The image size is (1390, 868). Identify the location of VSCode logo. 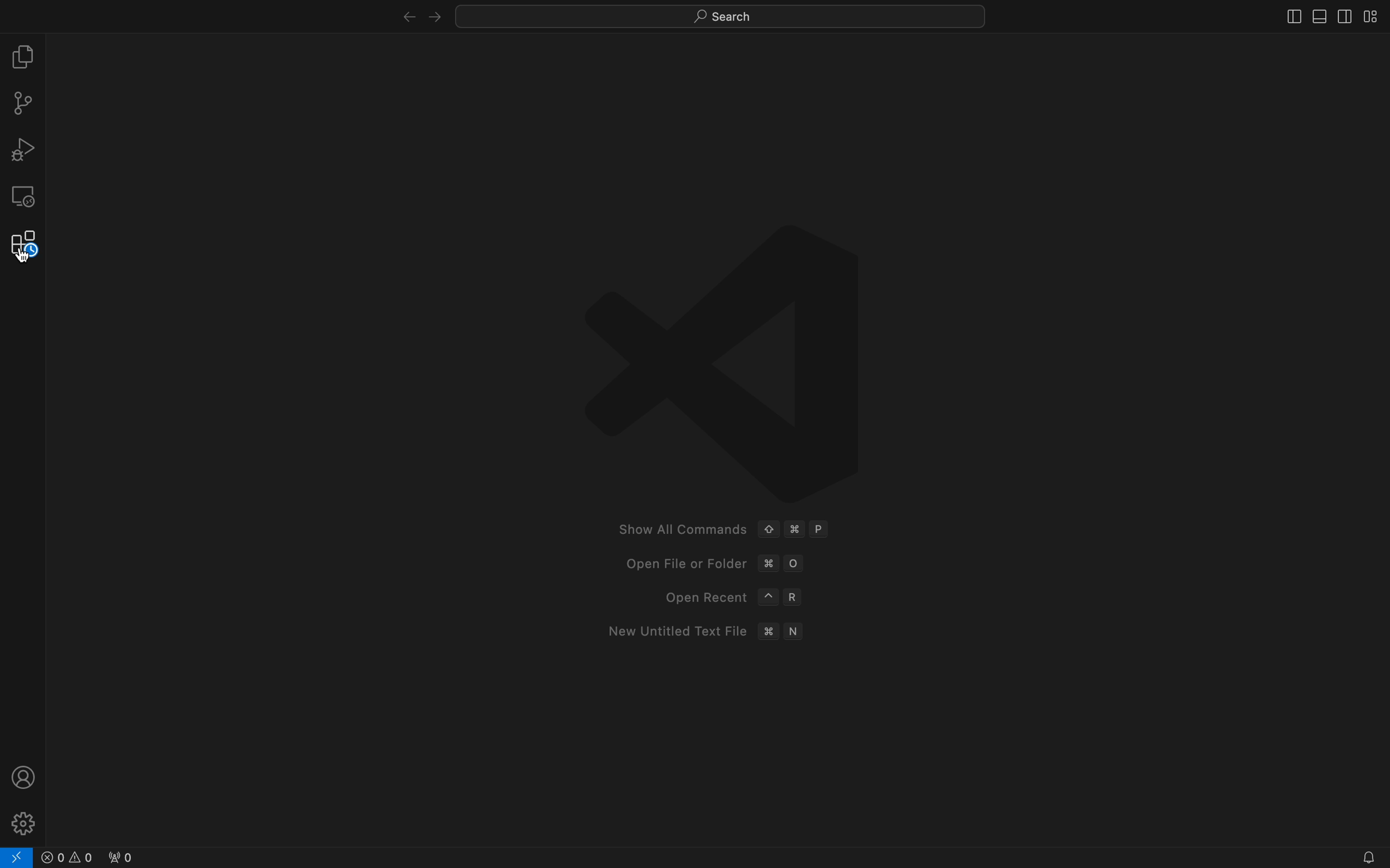
(729, 361).